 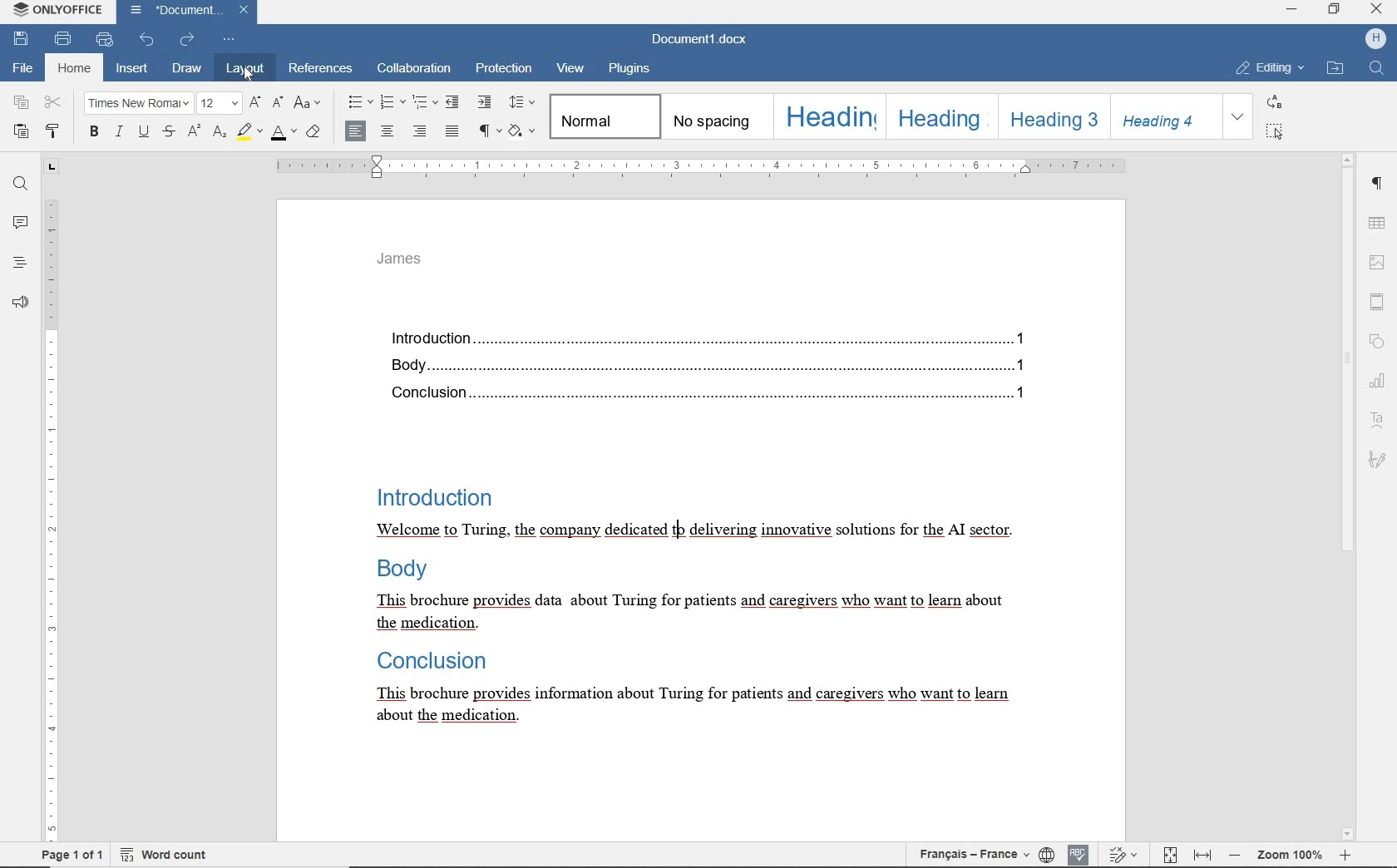 I want to click on justified, so click(x=452, y=131).